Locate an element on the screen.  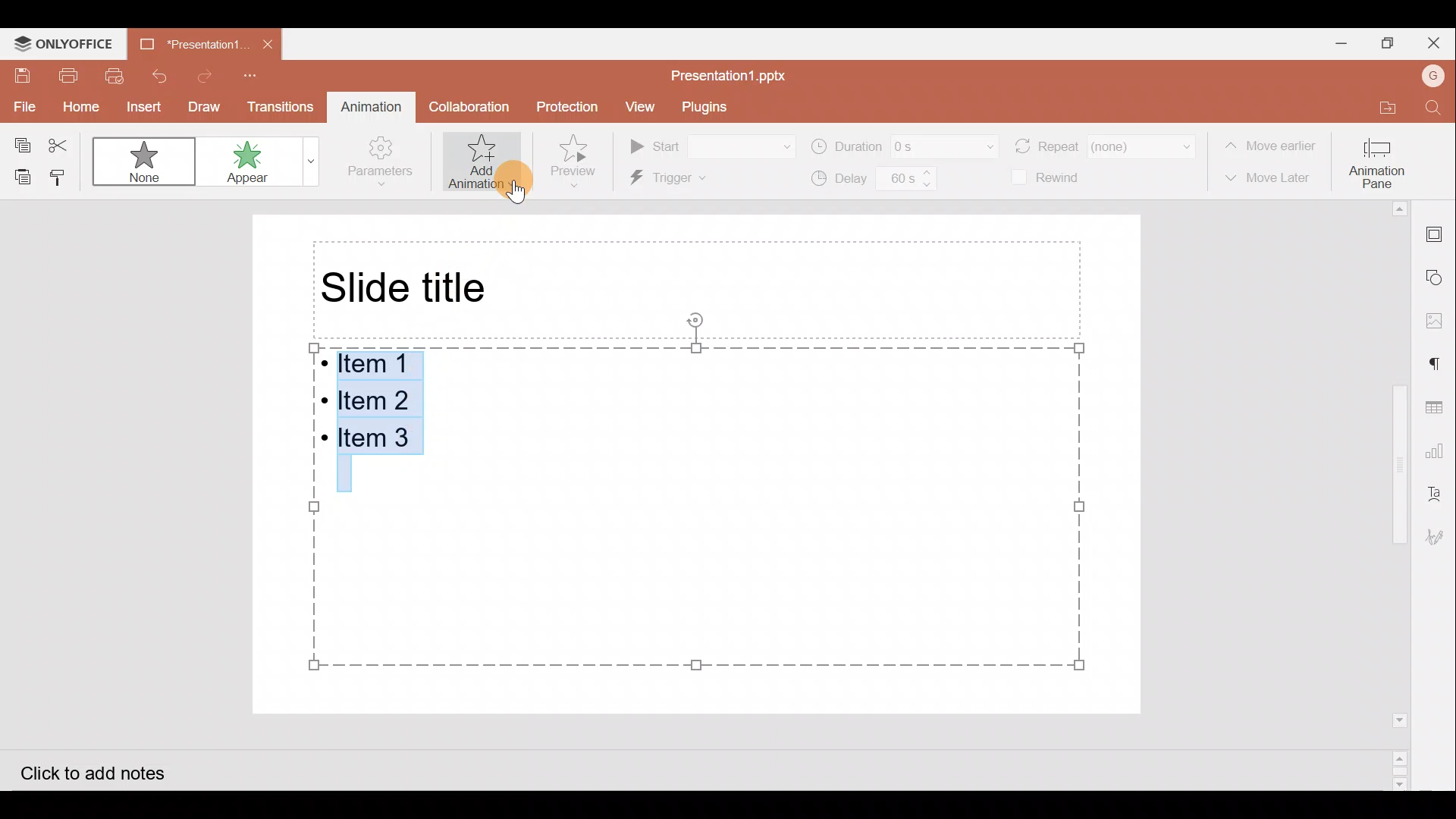
Bulleted Item 3 on the presentation slide is located at coordinates (378, 441).